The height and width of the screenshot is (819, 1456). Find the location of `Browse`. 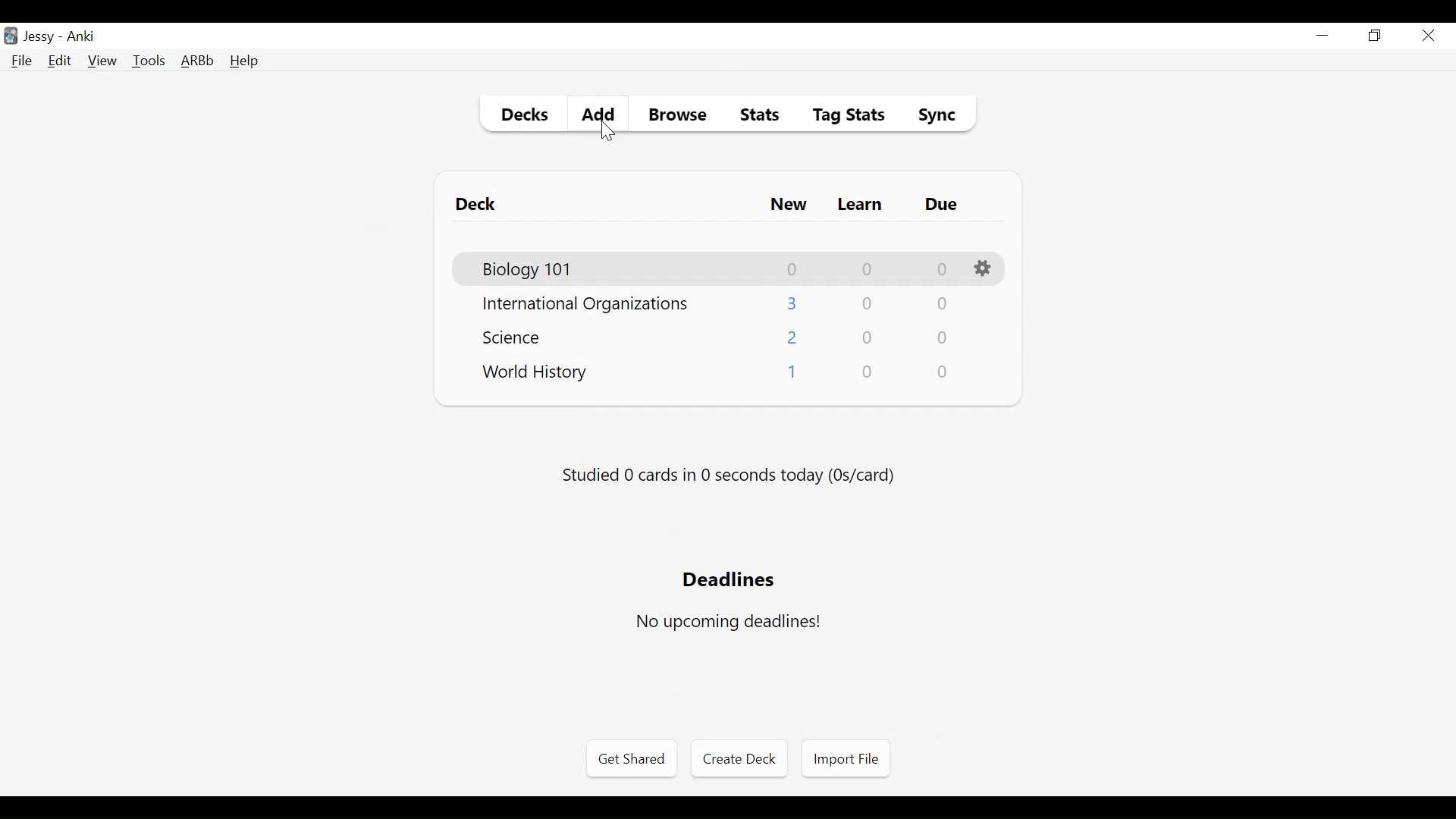

Browse is located at coordinates (680, 117).